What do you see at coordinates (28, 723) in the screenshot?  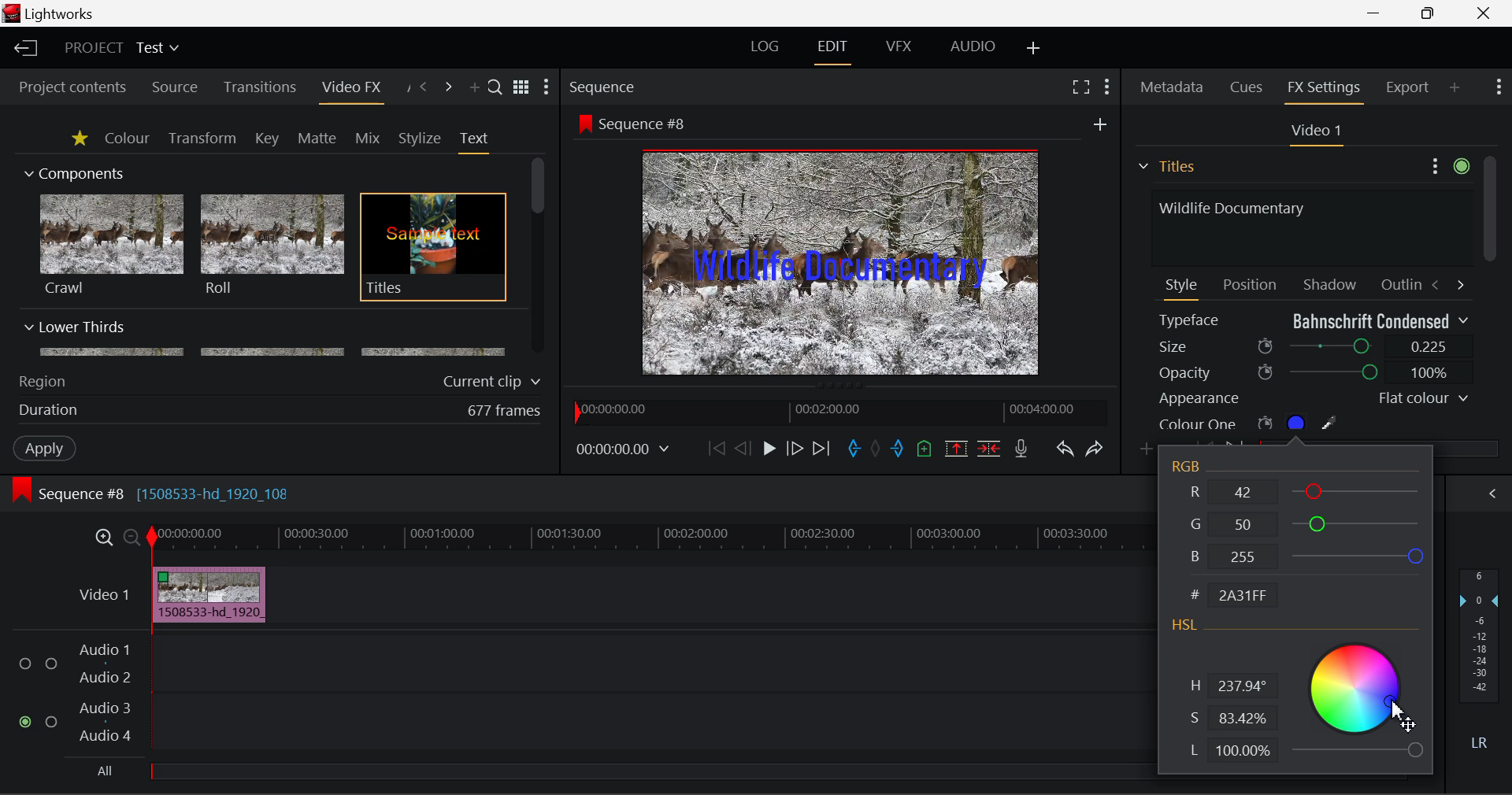 I see `checked checkbox` at bounding box center [28, 723].